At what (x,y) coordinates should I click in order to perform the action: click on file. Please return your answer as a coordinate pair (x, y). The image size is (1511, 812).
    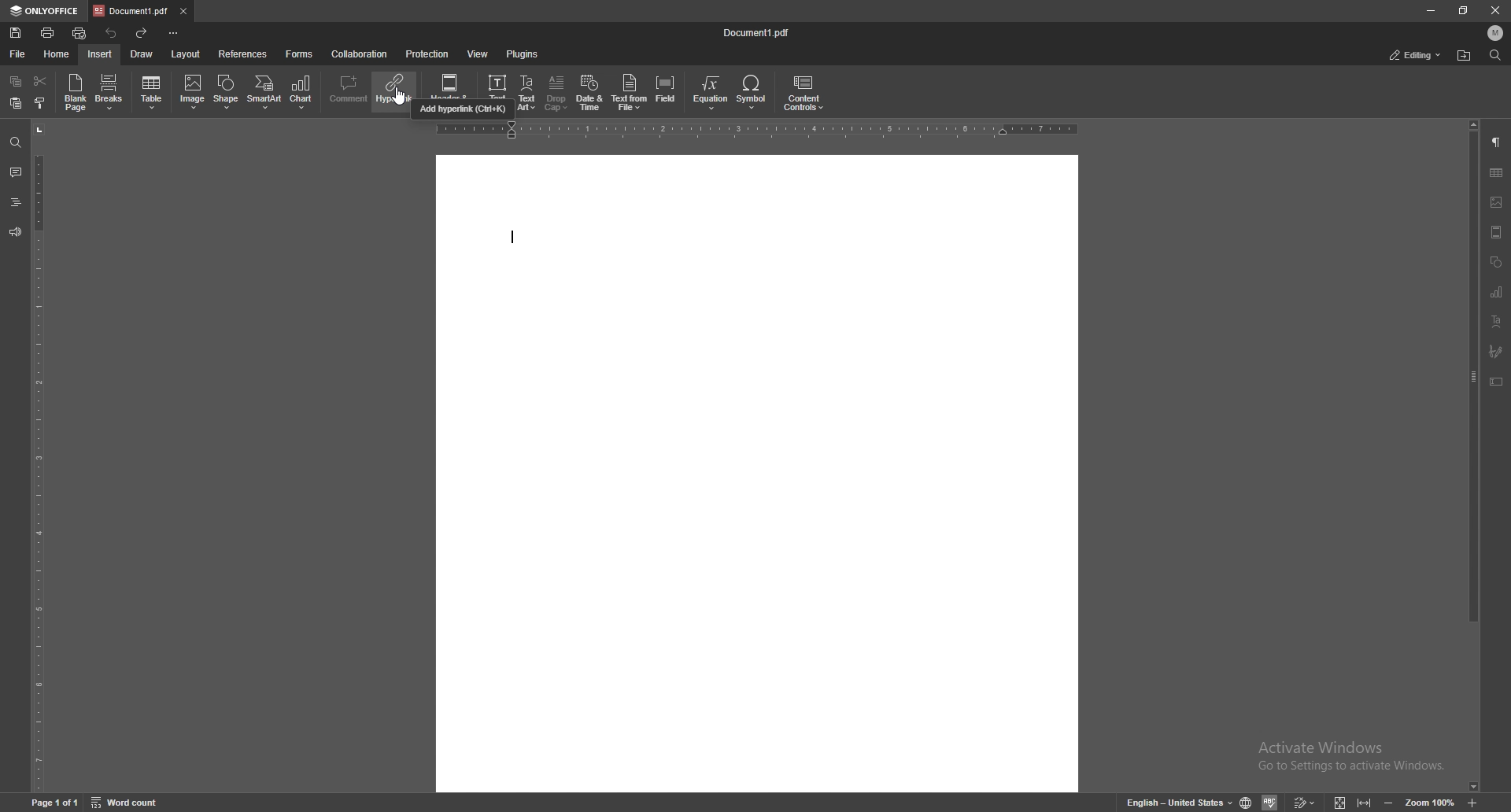
    Looking at the image, I should click on (17, 54).